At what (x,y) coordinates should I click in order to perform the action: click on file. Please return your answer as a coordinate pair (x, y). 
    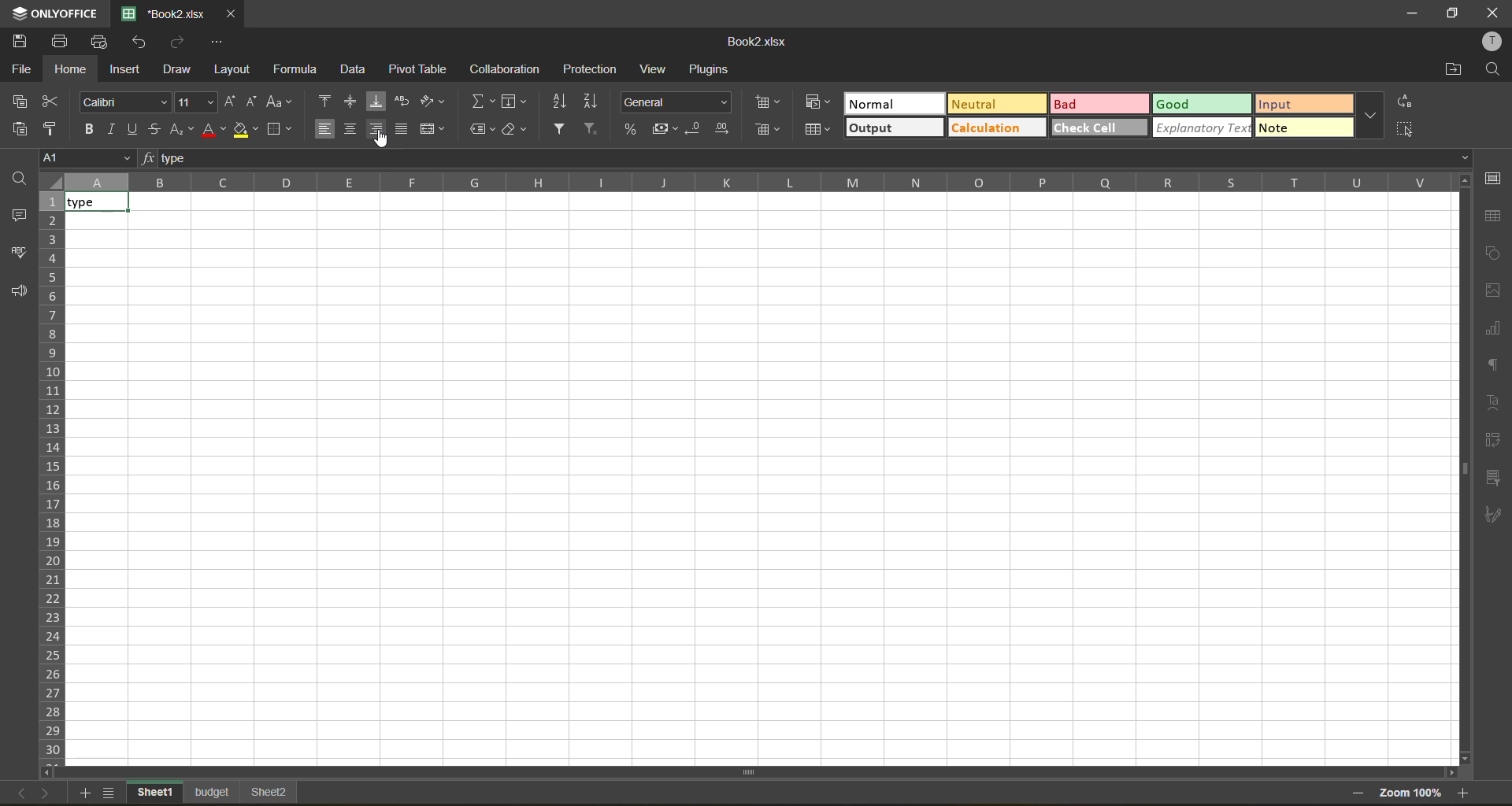
    Looking at the image, I should click on (22, 70).